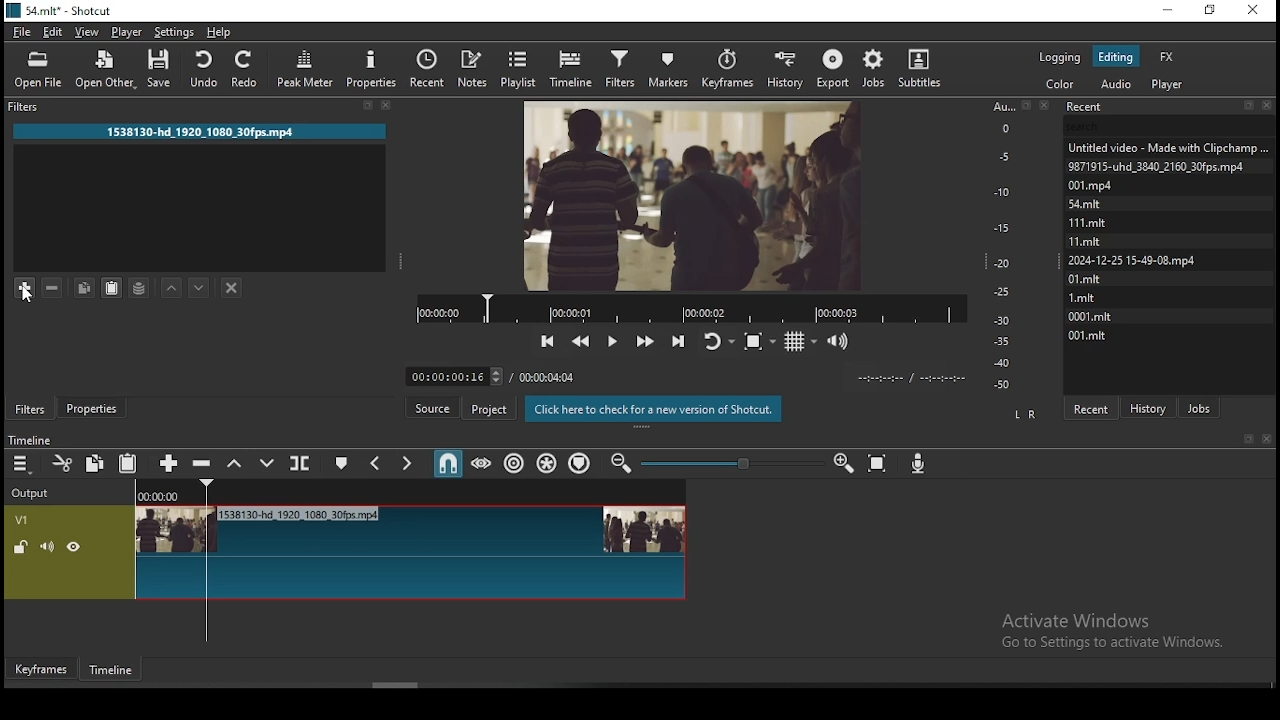 The width and height of the screenshot is (1280, 720). Describe the element at coordinates (682, 193) in the screenshot. I see `video preview` at that location.